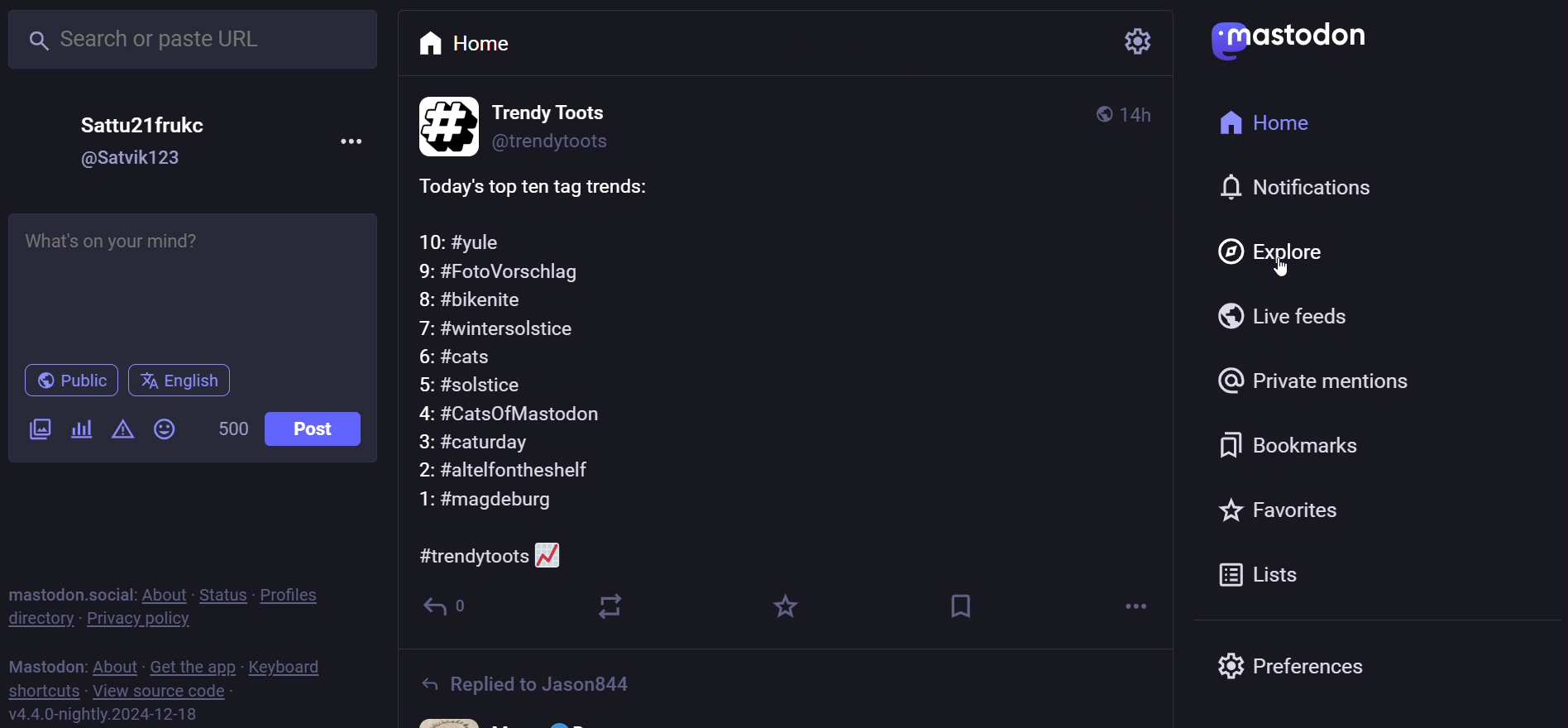 This screenshot has width=1568, height=728. What do you see at coordinates (194, 40) in the screenshot?
I see `search or paste URL` at bounding box center [194, 40].